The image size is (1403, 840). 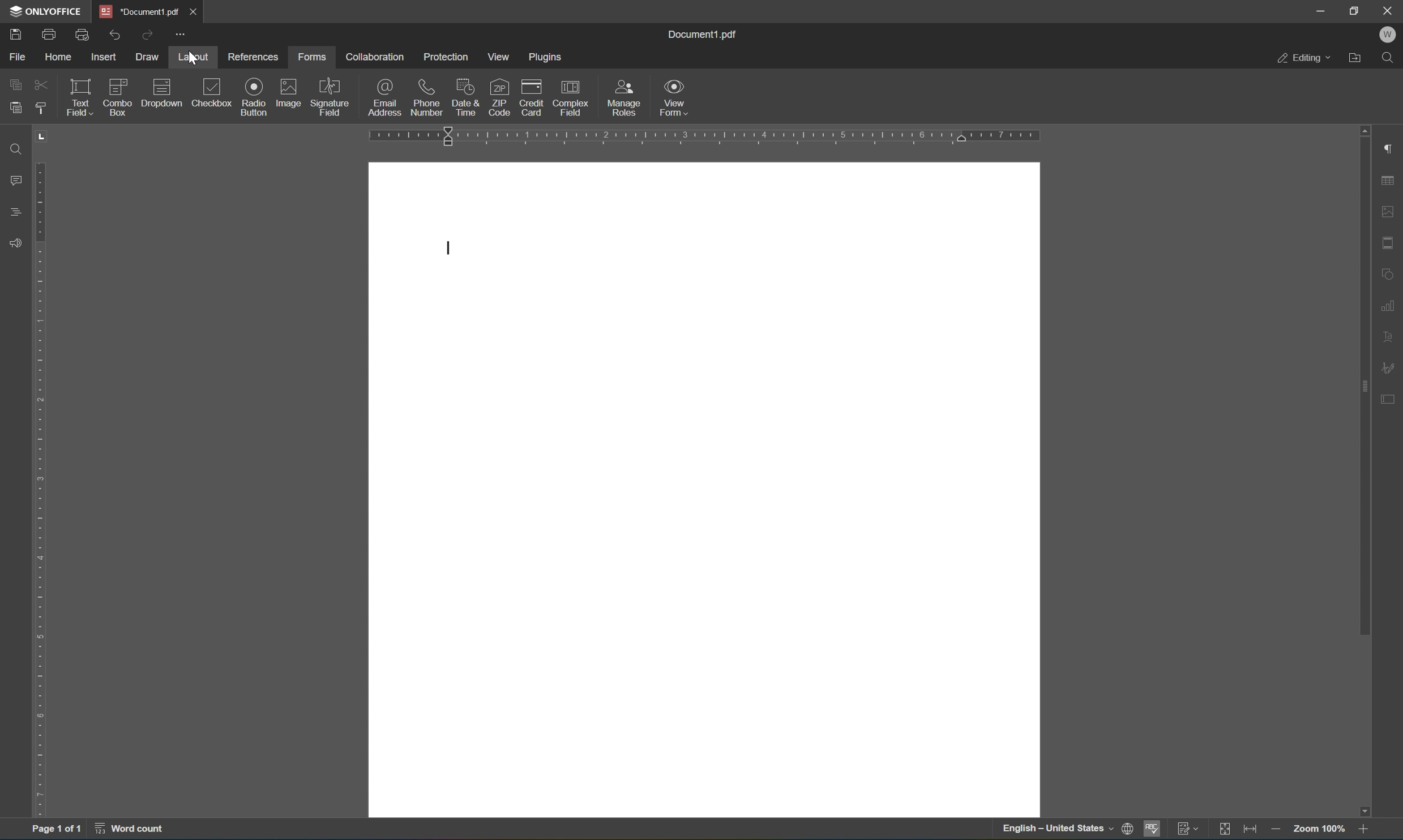 What do you see at coordinates (705, 34) in the screenshot?
I see `document1.pdf` at bounding box center [705, 34].